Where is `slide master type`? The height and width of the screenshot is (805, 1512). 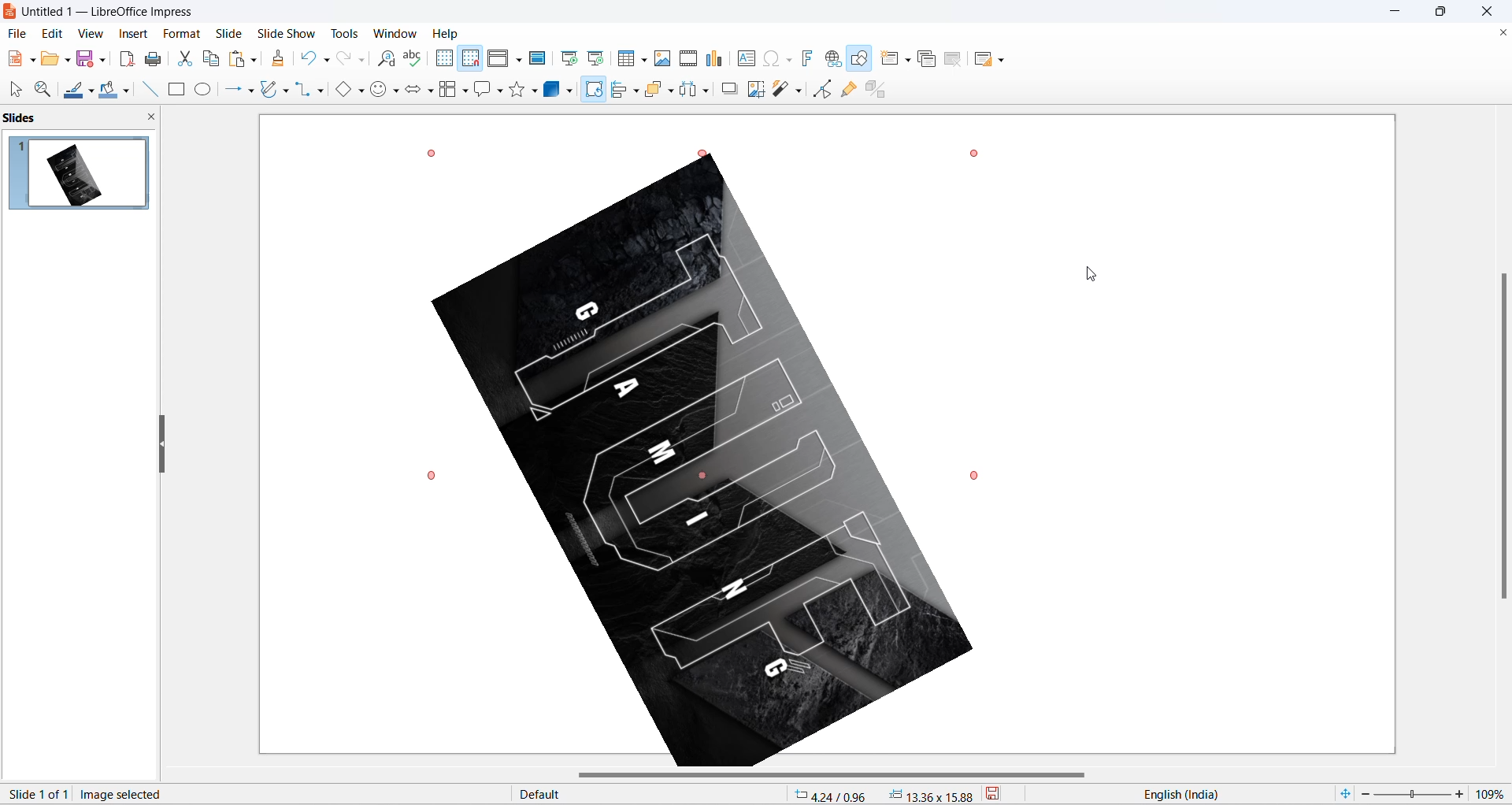 slide master type is located at coordinates (651, 795).